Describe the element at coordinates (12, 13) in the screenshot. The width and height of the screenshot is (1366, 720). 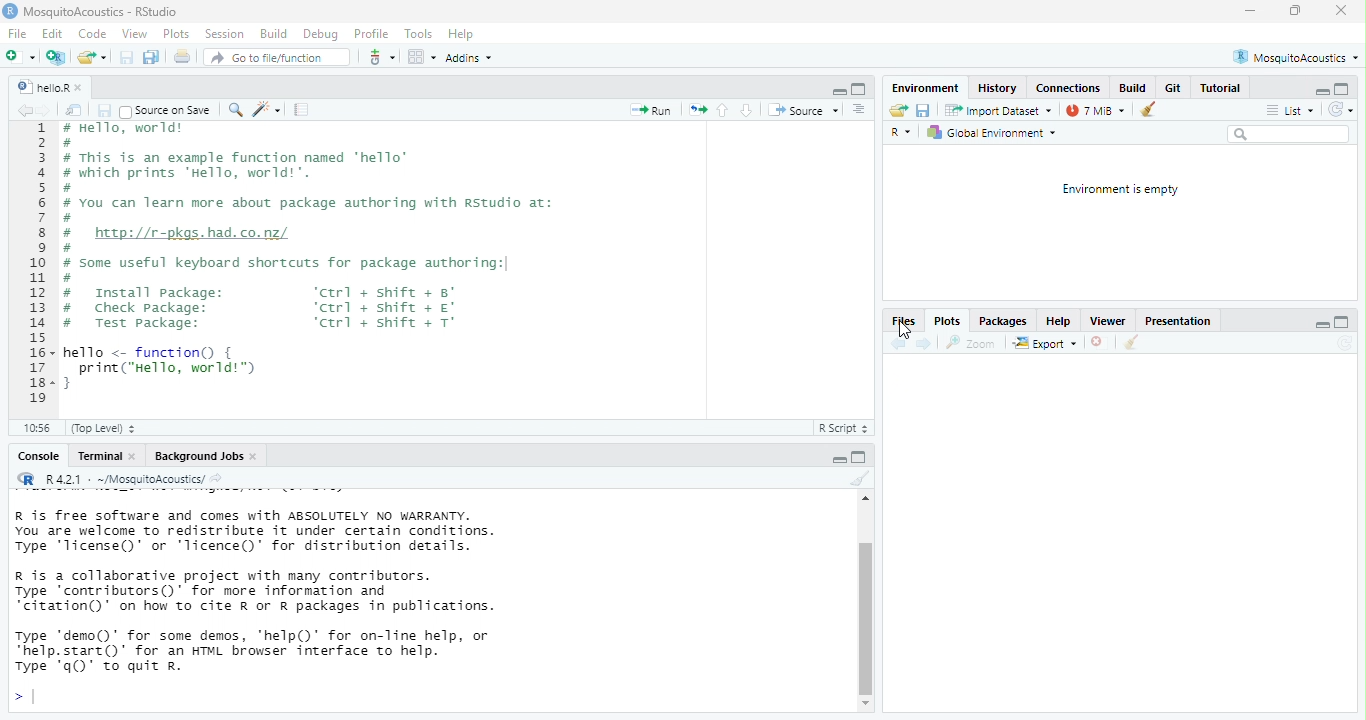
I see `Rstudio logo` at that location.